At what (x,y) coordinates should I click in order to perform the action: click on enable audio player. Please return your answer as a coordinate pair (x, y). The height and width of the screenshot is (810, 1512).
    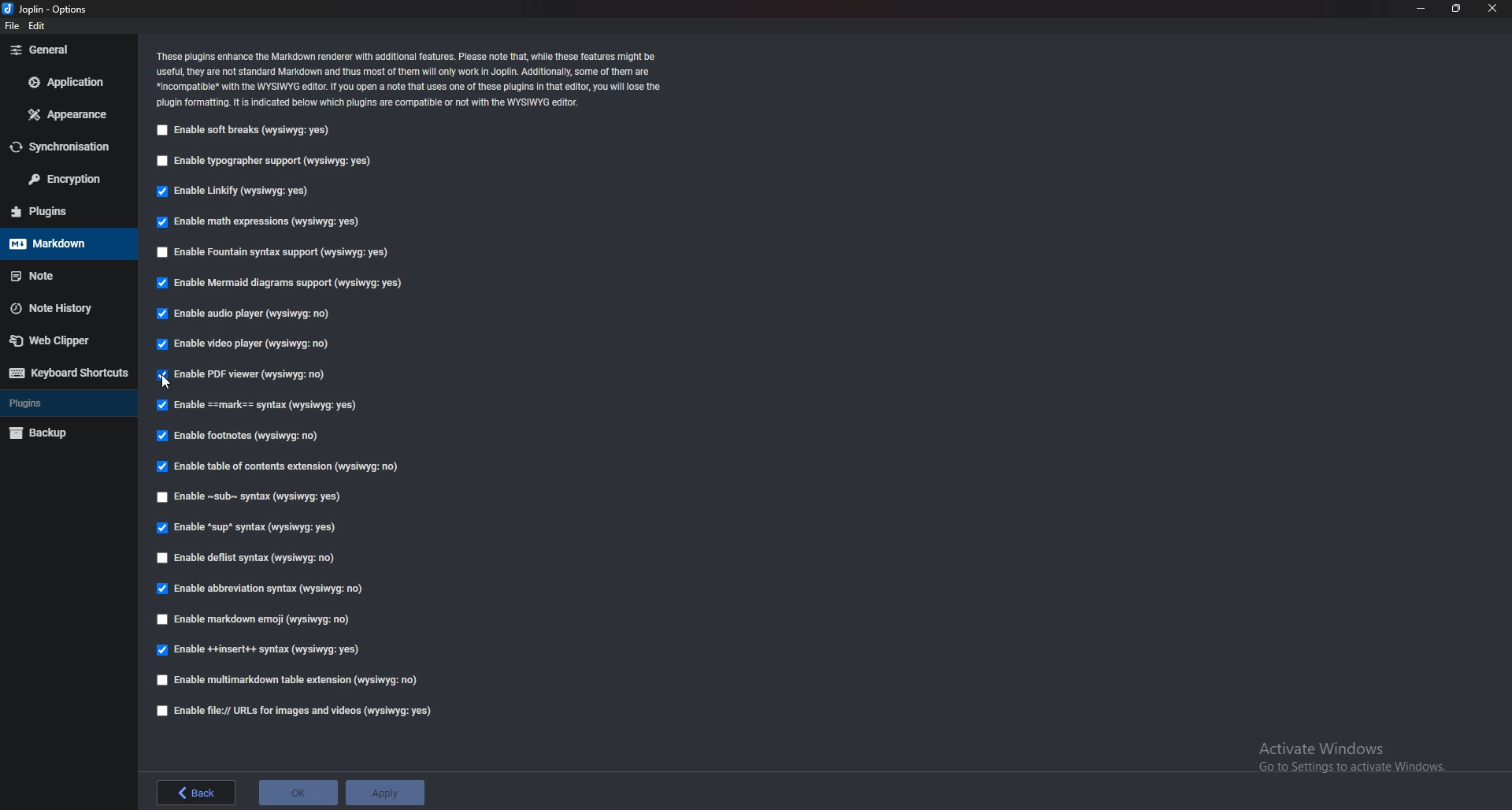
    Looking at the image, I should click on (251, 313).